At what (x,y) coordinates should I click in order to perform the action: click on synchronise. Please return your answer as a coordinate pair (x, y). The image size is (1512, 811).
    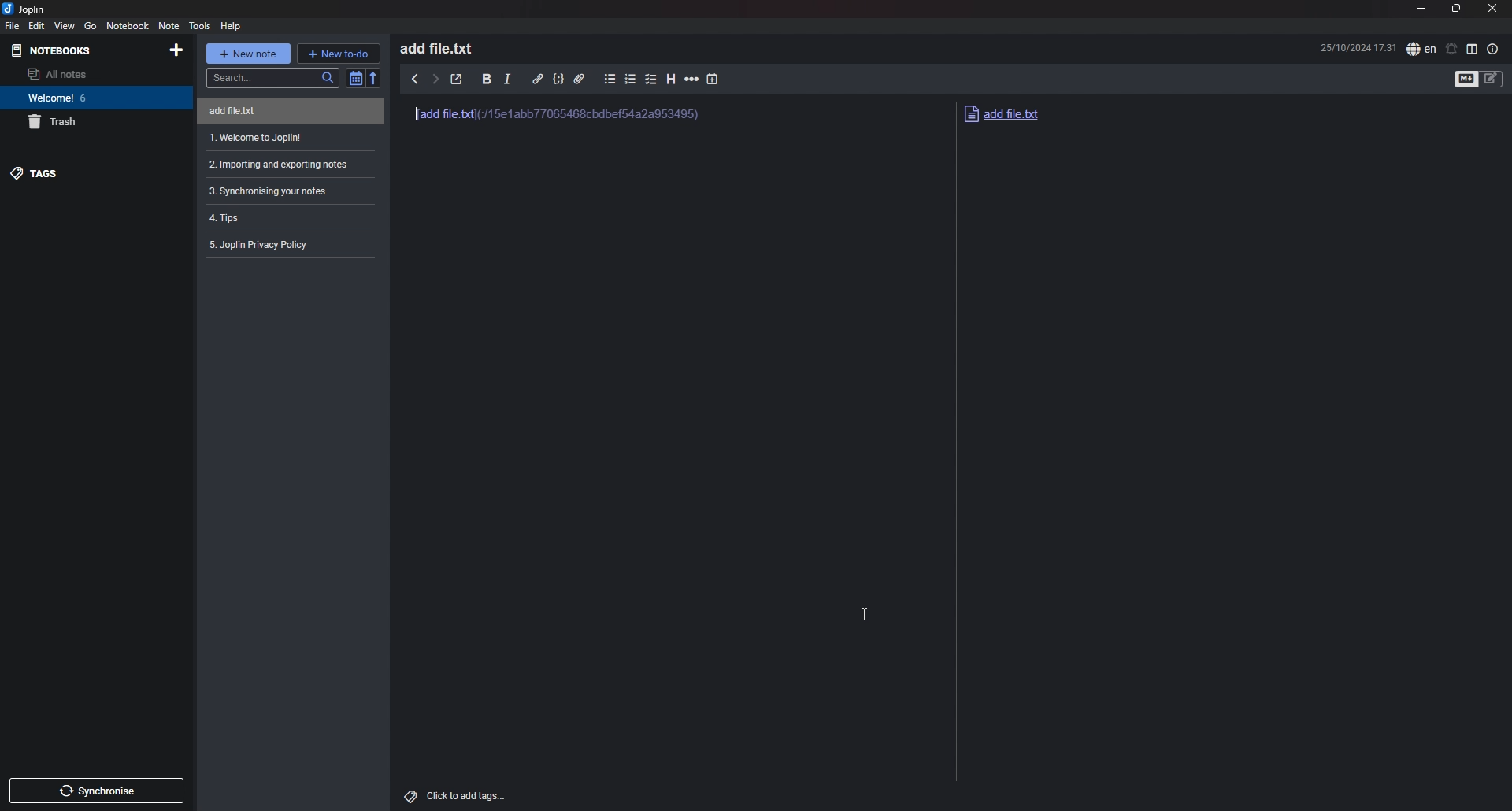
    Looking at the image, I should click on (95, 791).